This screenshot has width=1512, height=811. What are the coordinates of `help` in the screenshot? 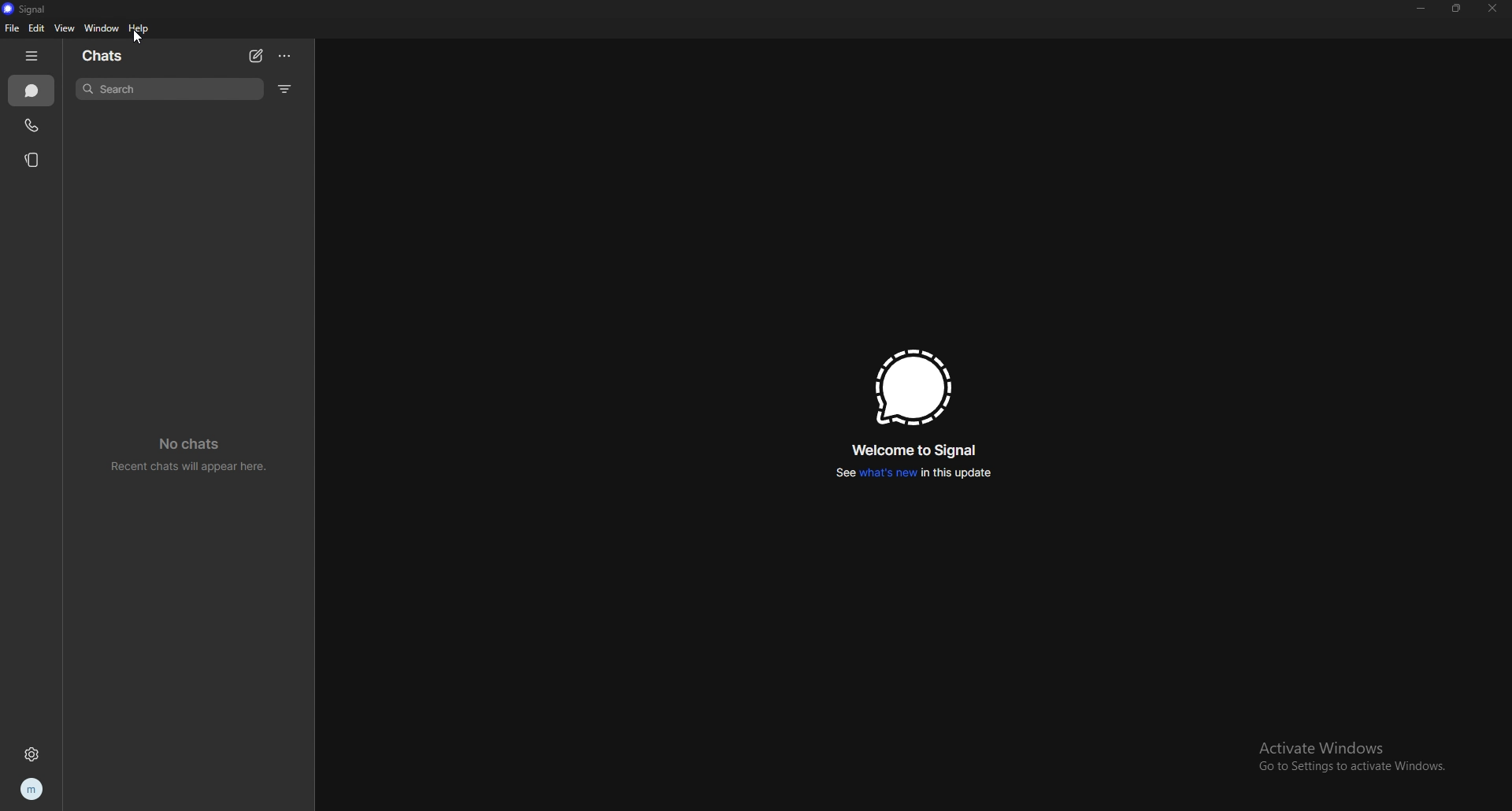 It's located at (139, 28).